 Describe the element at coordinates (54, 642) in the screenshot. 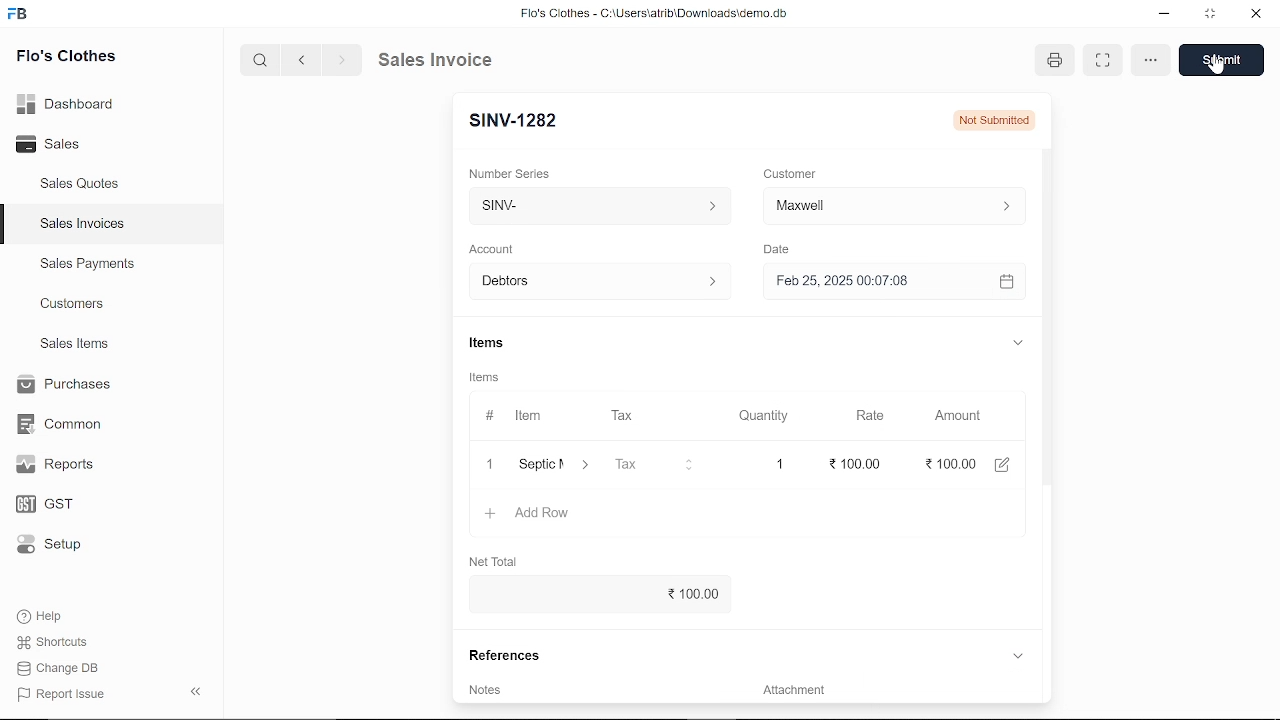

I see `Shortcuts` at that location.